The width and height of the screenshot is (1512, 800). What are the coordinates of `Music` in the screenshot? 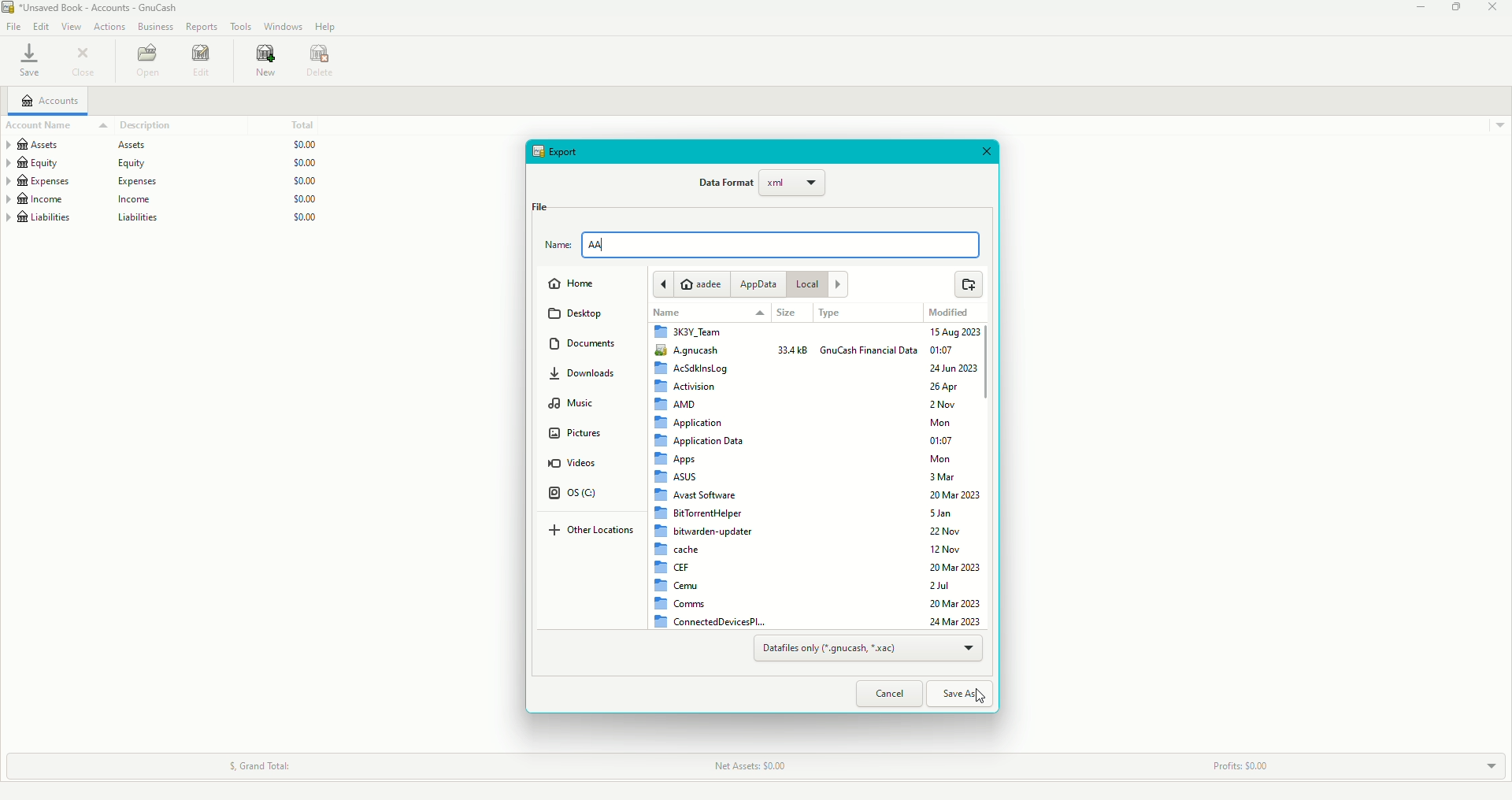 It's located at (576, 406).